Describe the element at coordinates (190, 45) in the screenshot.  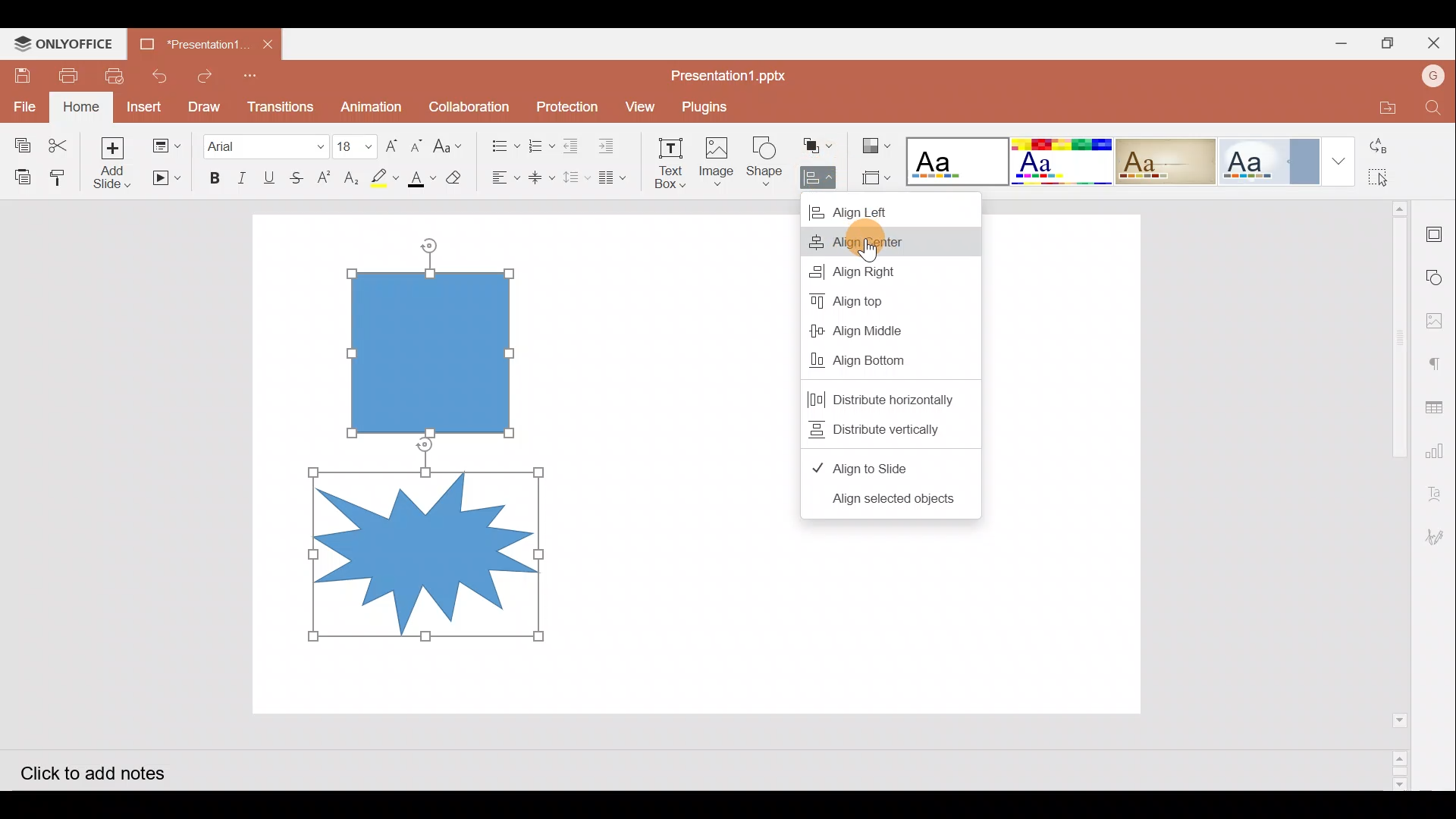
I see `Document title` at that location.